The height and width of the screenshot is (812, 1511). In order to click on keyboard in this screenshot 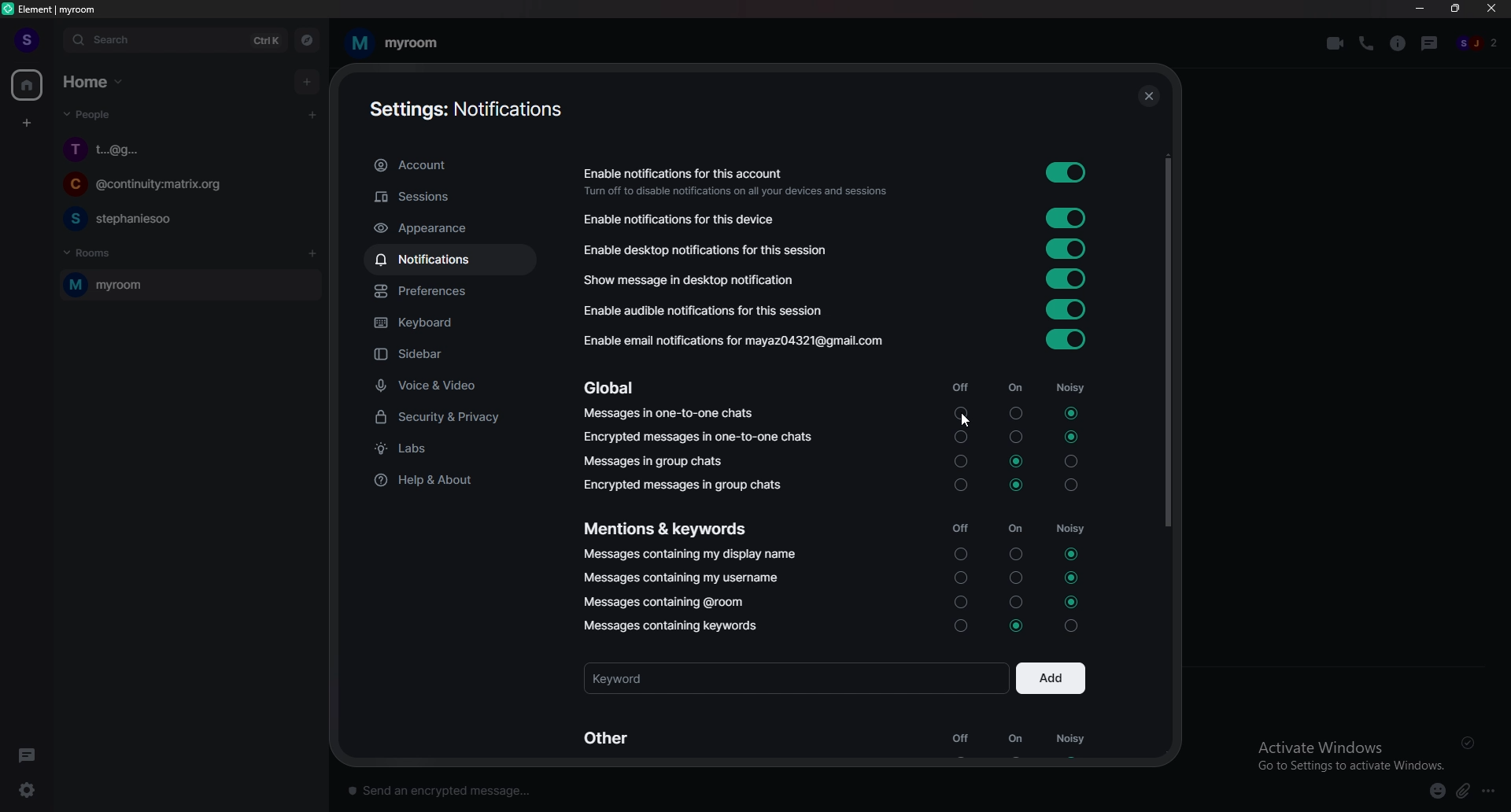, I will do `click(456, 320)`.